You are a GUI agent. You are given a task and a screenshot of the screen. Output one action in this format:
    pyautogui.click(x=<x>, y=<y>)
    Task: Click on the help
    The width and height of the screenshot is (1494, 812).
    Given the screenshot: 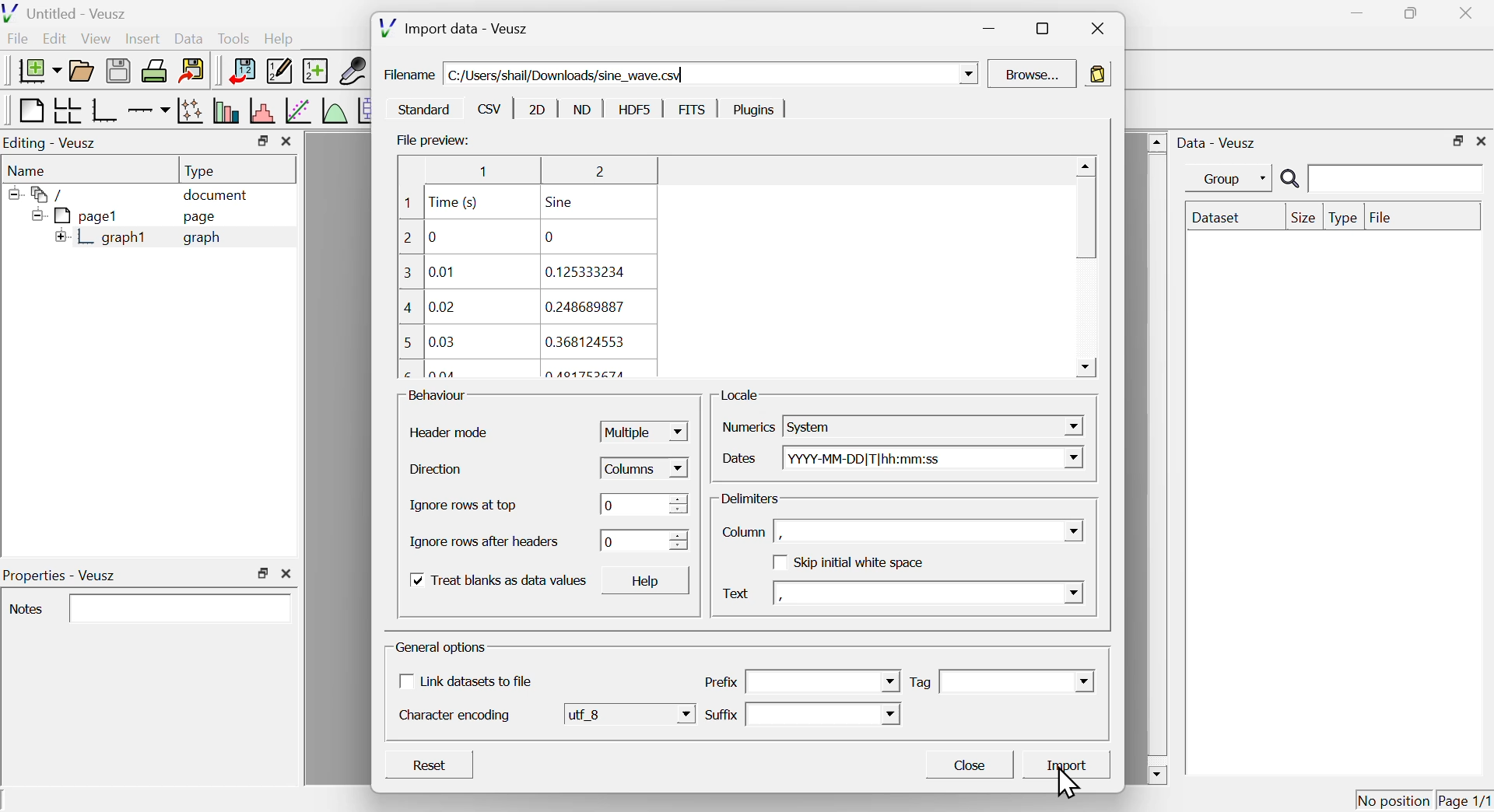 What is the action you would take?
    pyautogui.click(x=279, y=40)
    